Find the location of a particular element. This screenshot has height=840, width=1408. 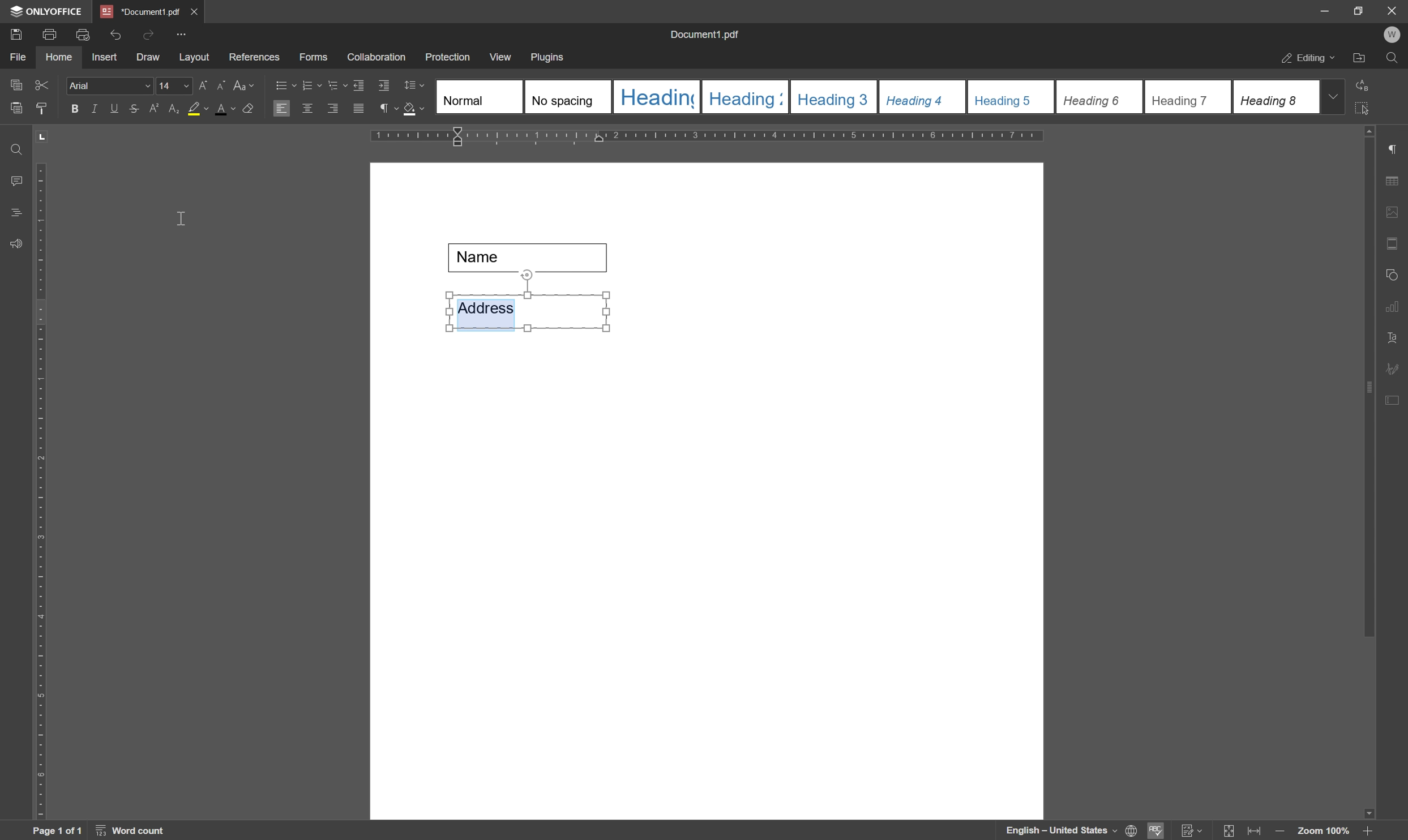

select all is located at coordinates (1368, 108).